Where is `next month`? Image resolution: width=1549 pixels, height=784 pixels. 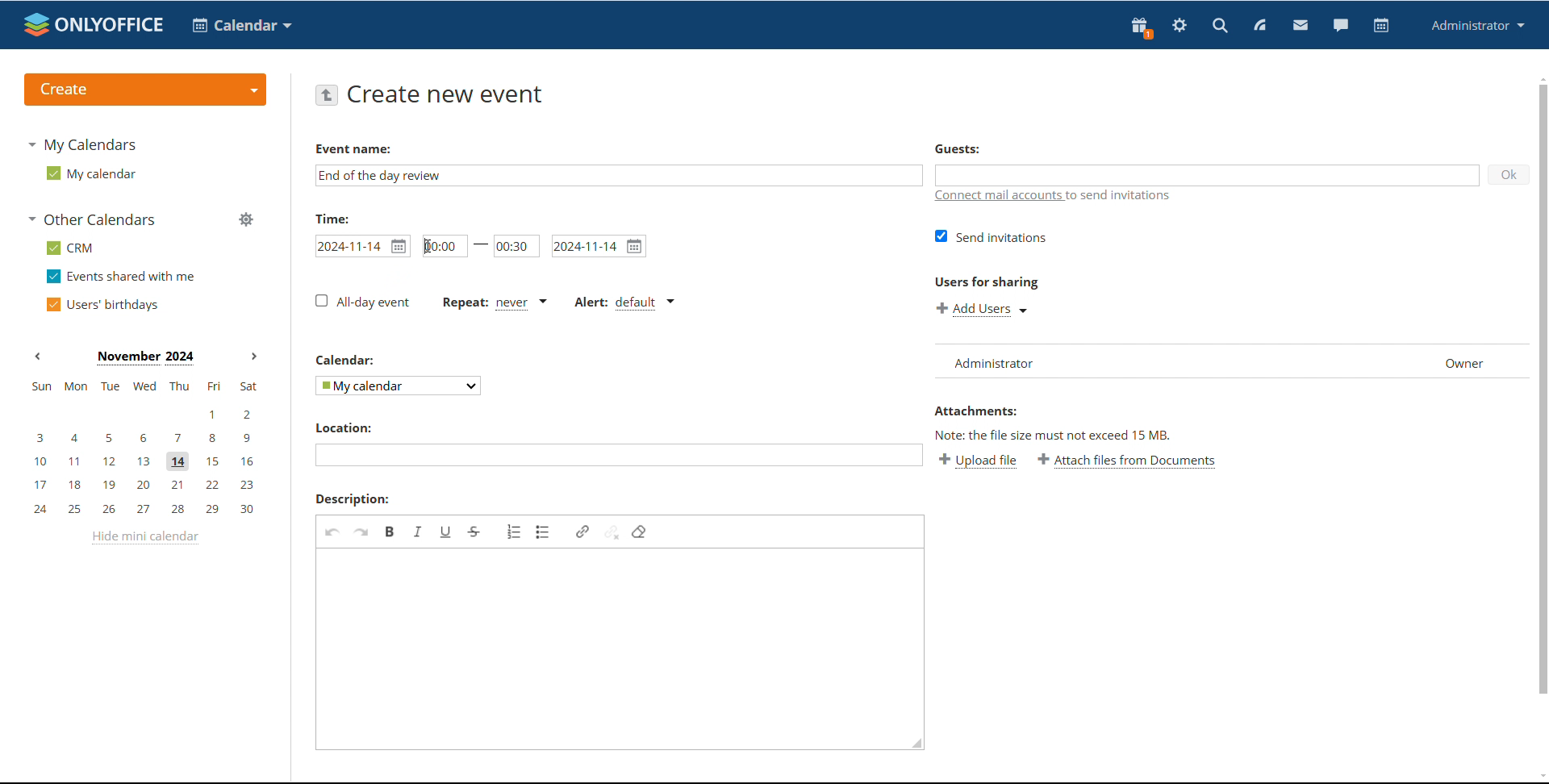 next month is located at coordinates (254, 357).